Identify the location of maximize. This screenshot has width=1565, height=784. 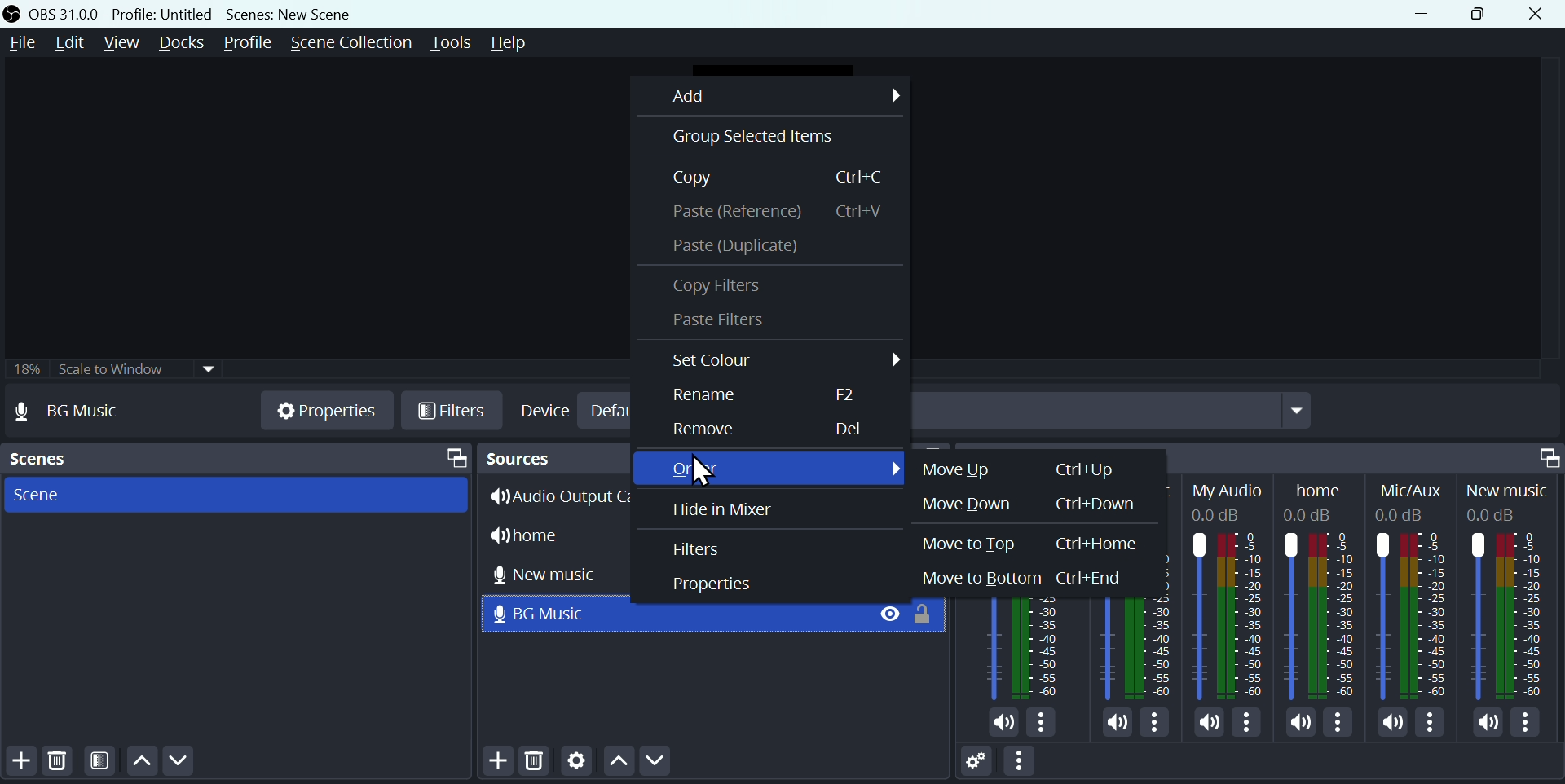
(1544, 454).